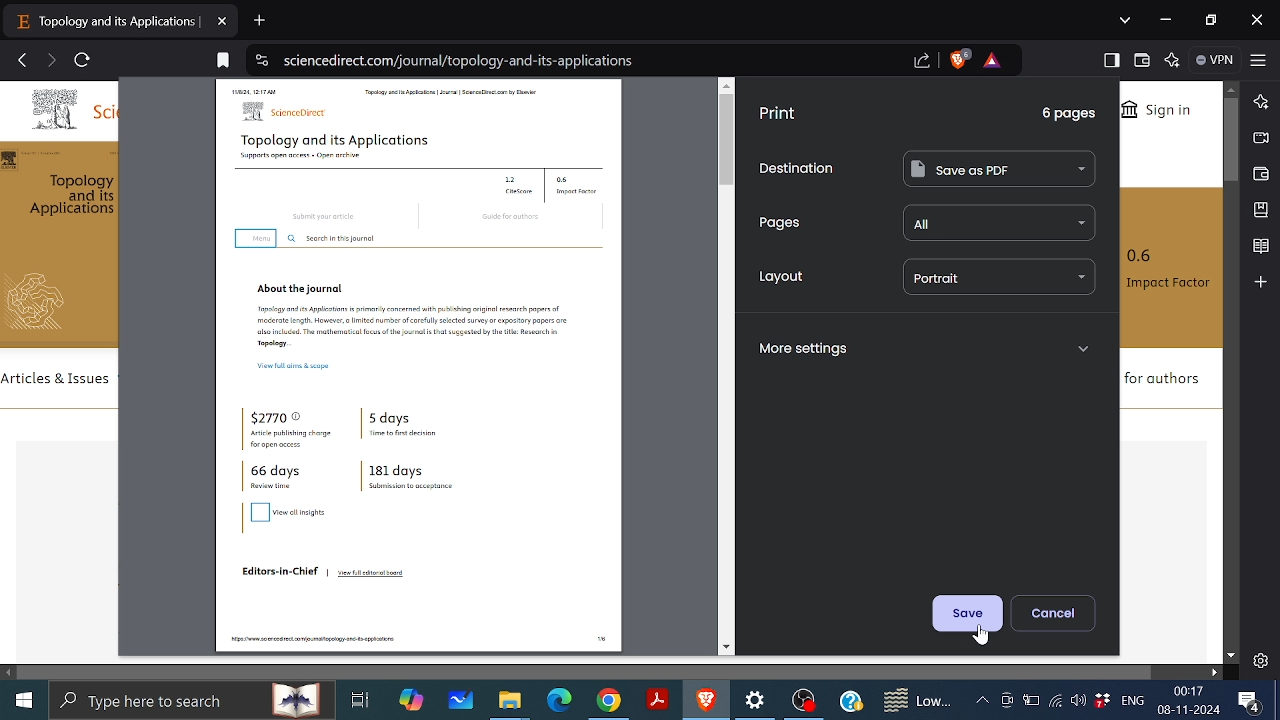 Image resolution: width=1280 pixels, height=720 pixels. Describe the element at coordinates (1173, 271) in the screenshot. I see `0.6 Impact Factor` at that location.